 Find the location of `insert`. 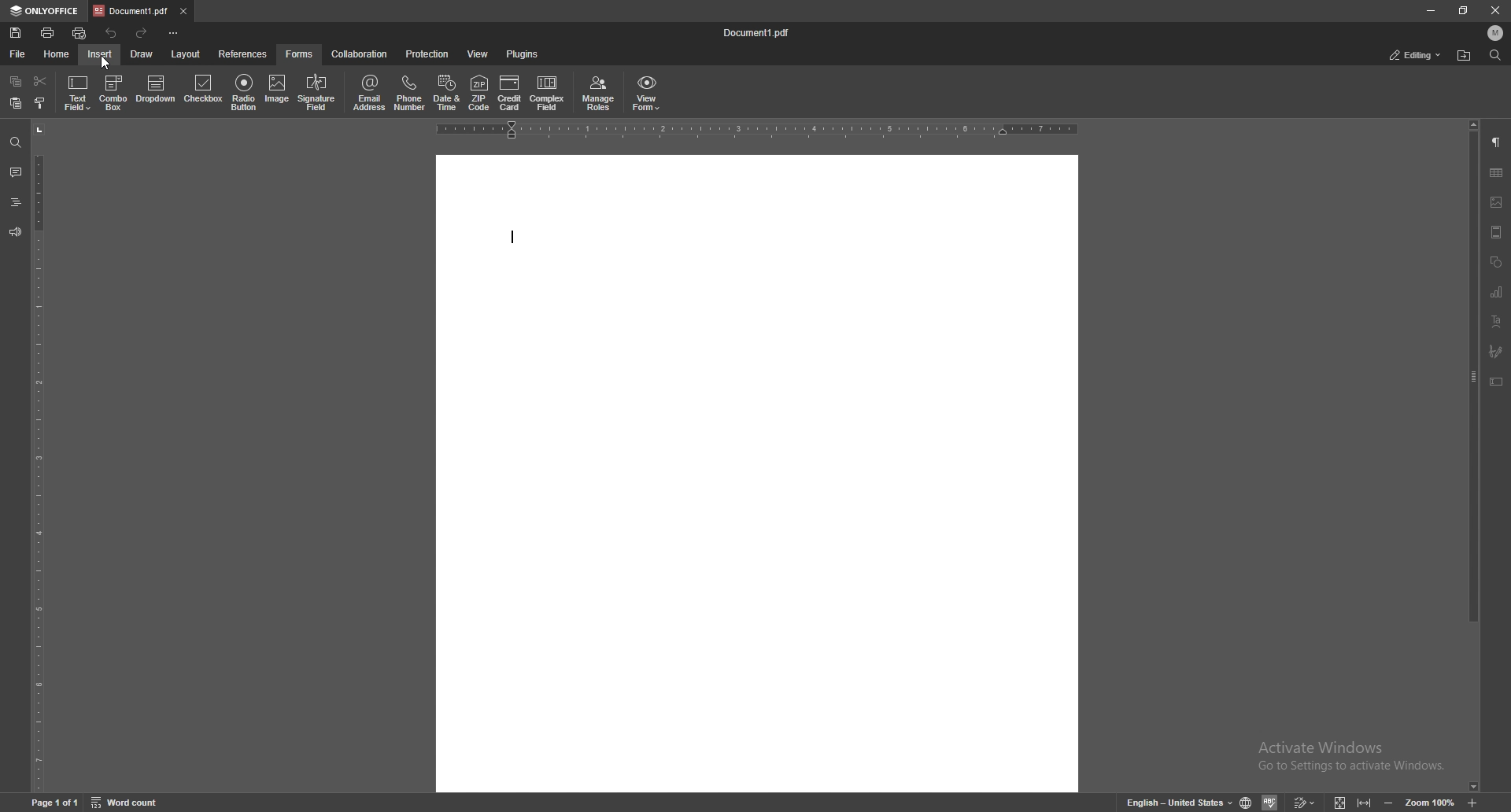

insert is located at coordinates (100, 54).